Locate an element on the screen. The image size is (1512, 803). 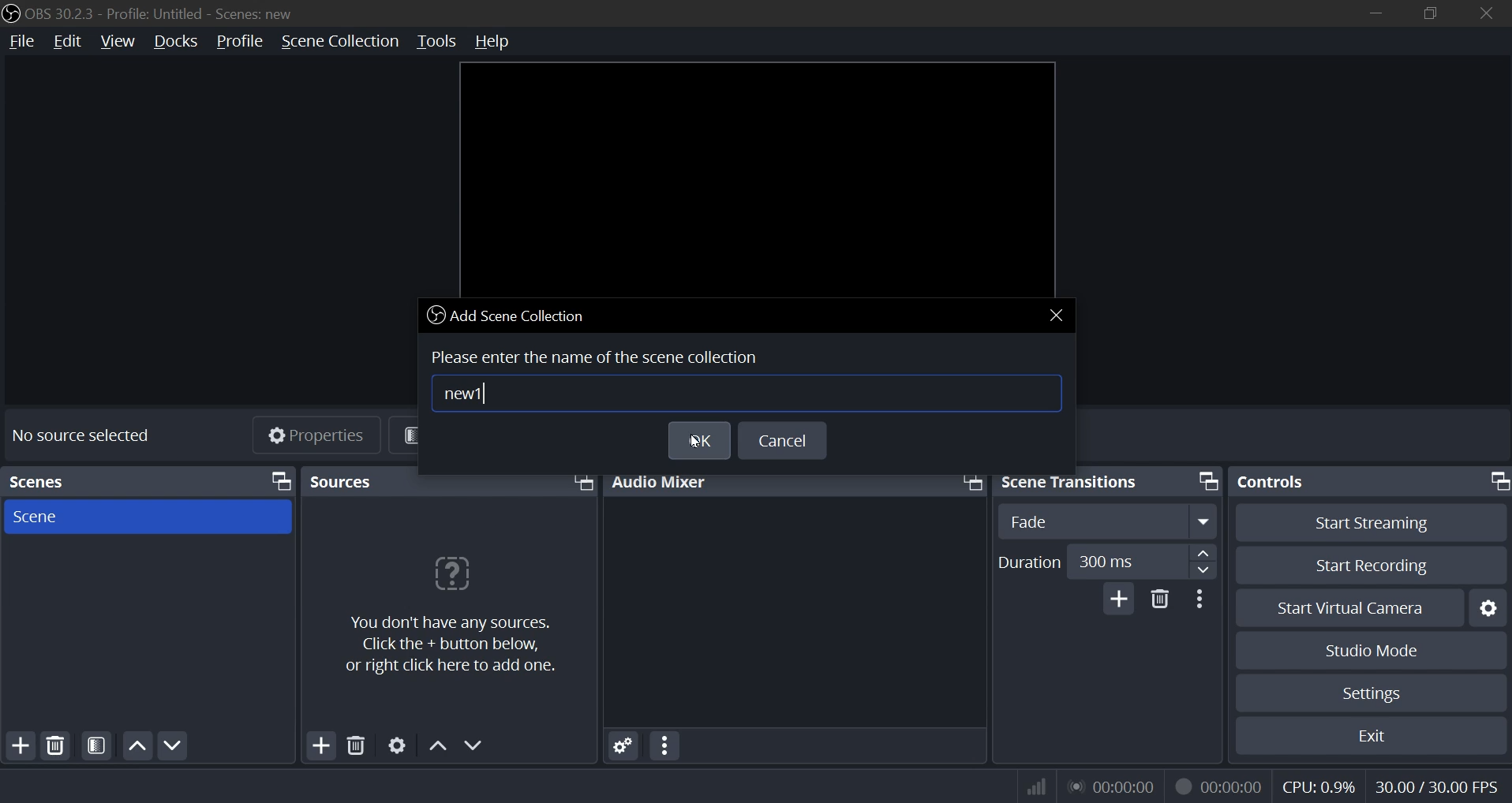
settings is located at coordinates (1374, 691).